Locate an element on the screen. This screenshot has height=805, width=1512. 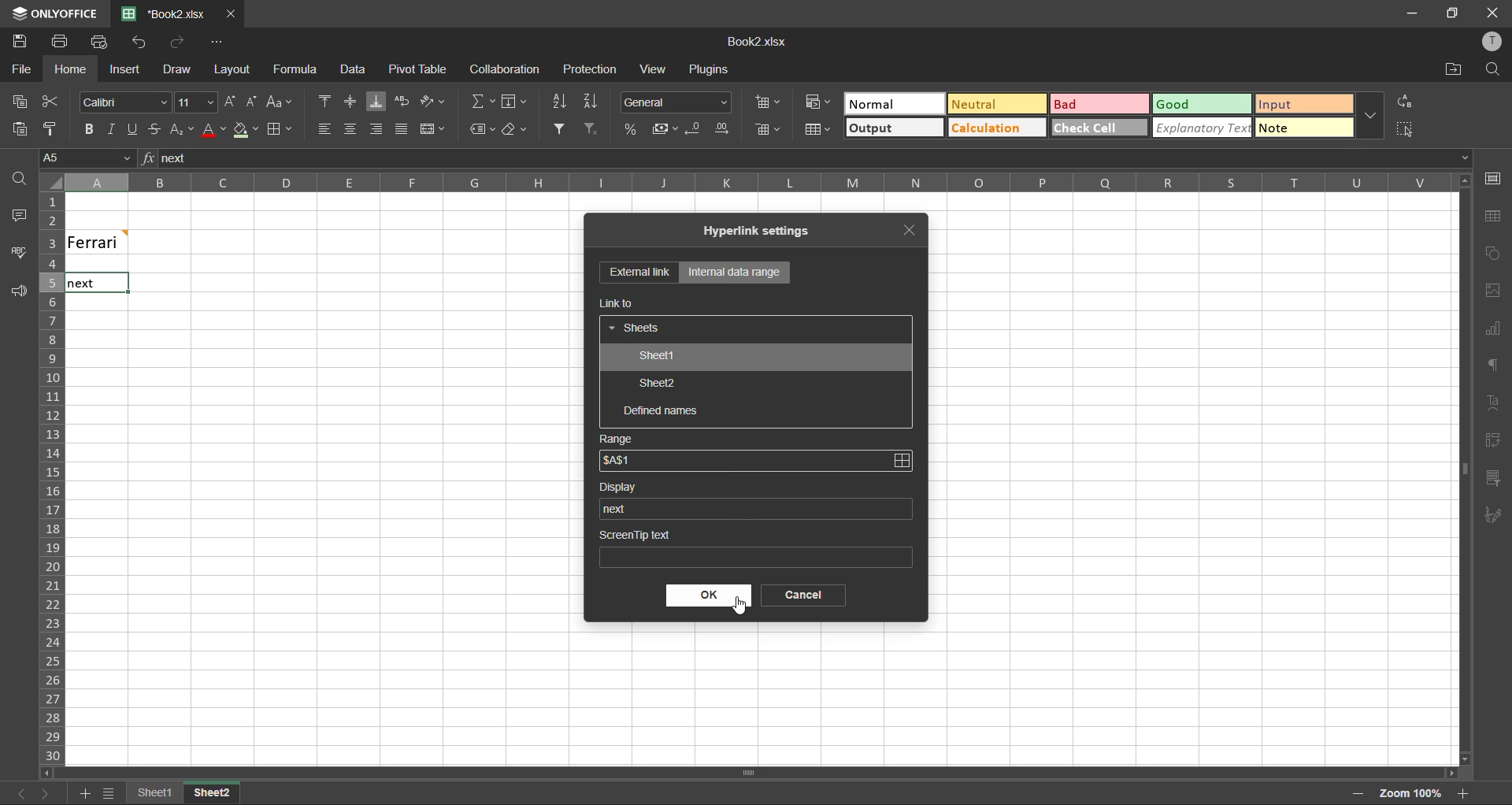
minimize is located at coordinates (1407, 13).